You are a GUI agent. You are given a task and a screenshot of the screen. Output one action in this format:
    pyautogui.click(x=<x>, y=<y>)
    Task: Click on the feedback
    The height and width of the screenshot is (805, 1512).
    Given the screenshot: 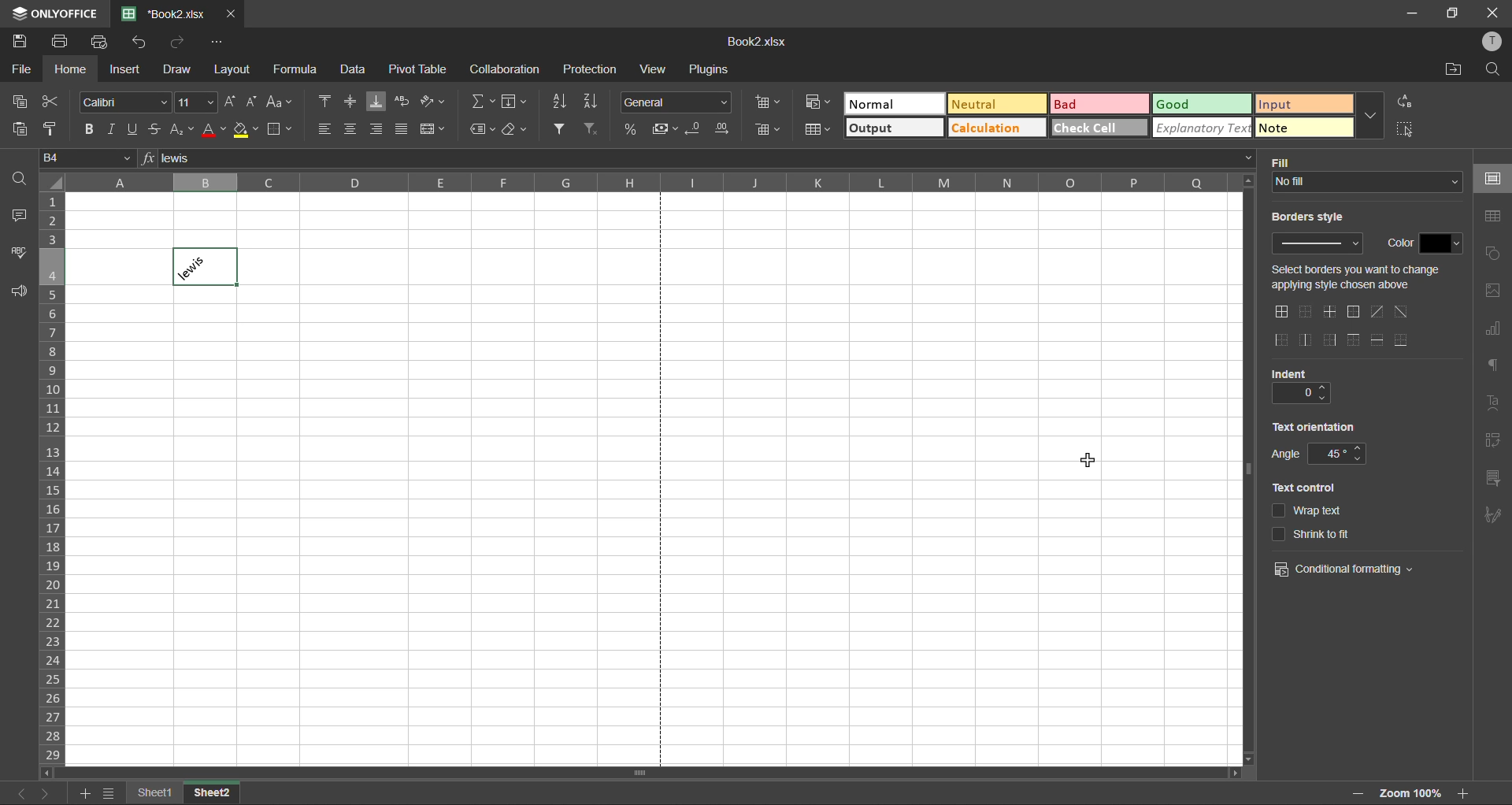 What is the action you would take?
    pyautogui.click(x=19, y=291)
    